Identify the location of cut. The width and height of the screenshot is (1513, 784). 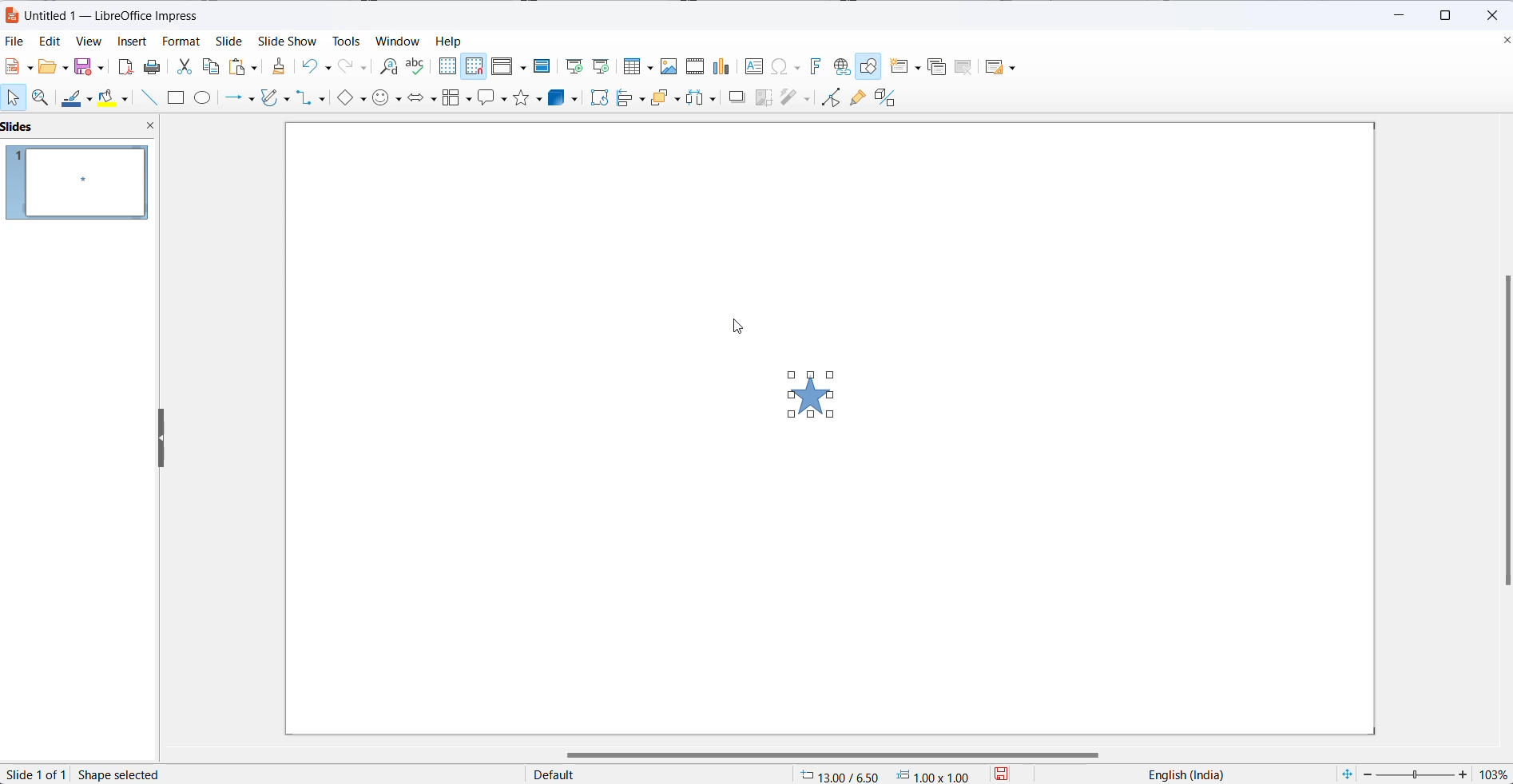
(184, 65).